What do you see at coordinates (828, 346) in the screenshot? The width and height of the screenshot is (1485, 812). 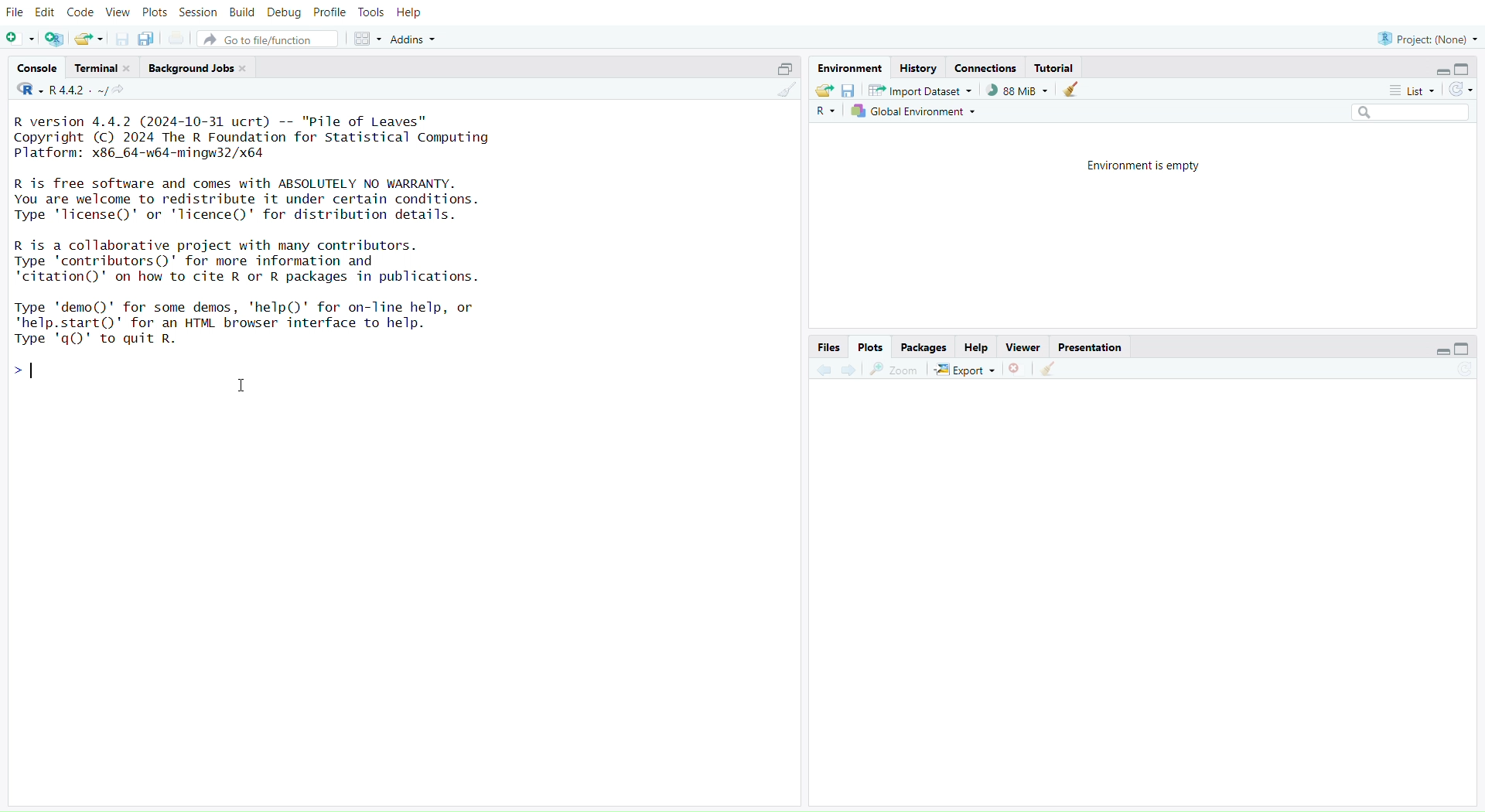 I see `files` at bounding box center [828, 346].